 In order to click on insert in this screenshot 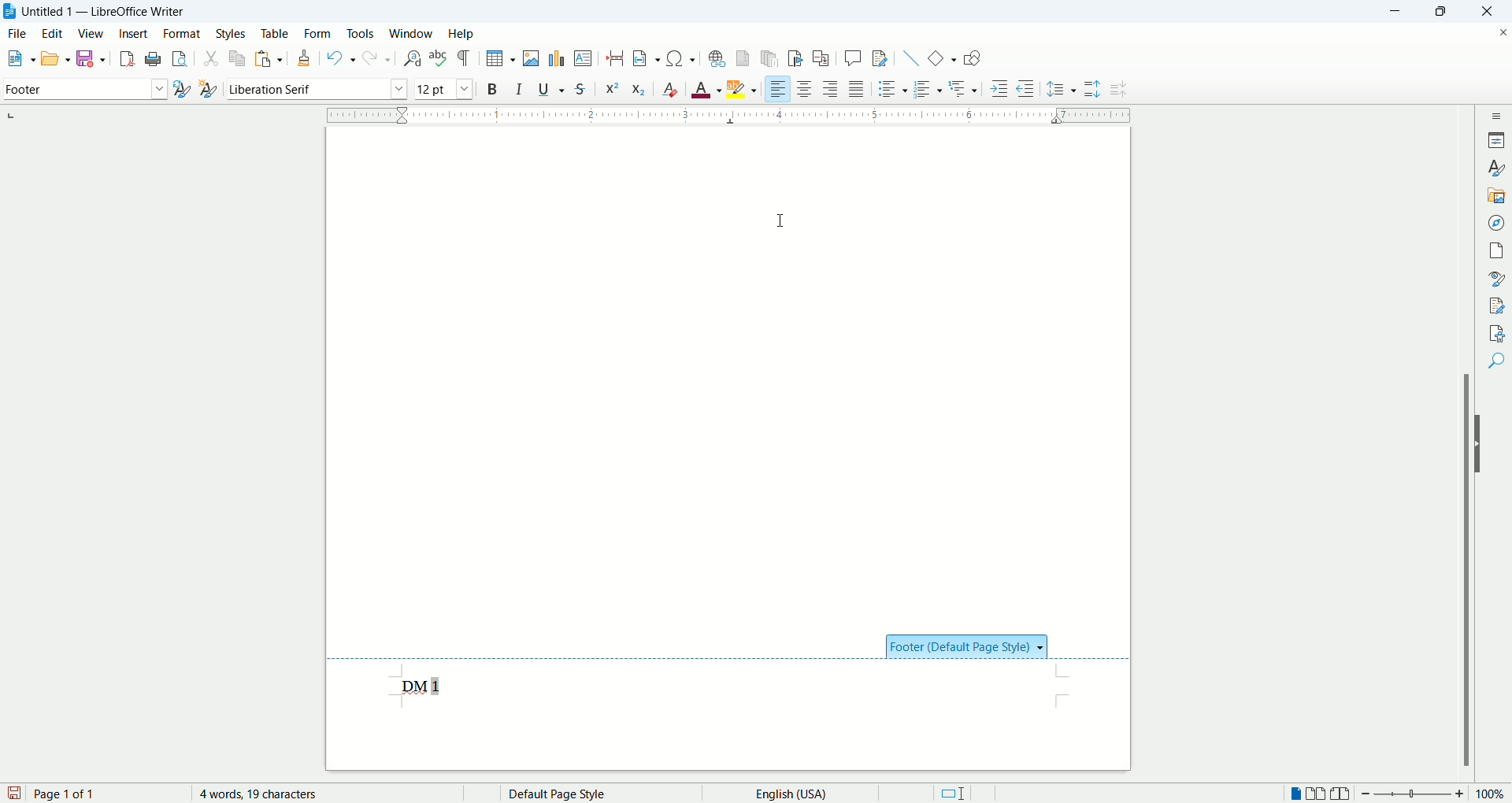, I will do `click(133, 33)`.